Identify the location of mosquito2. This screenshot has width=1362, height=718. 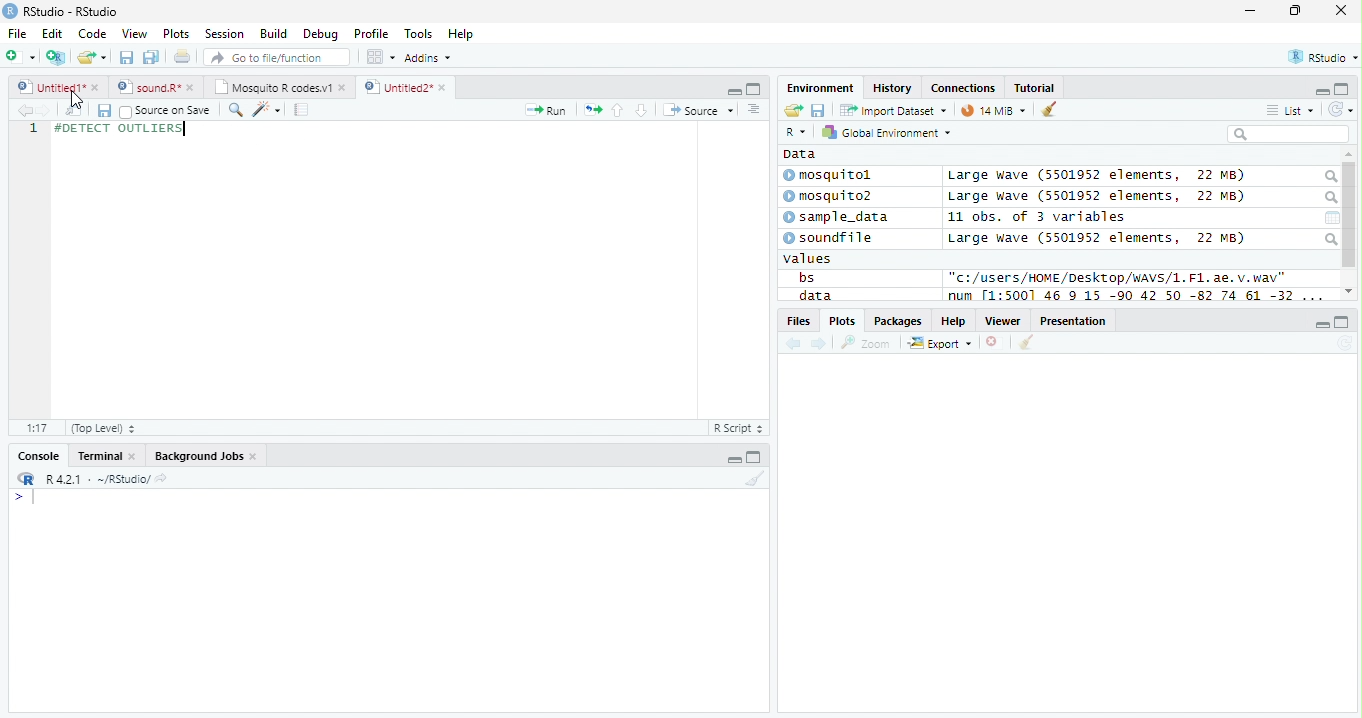
(832, 196).